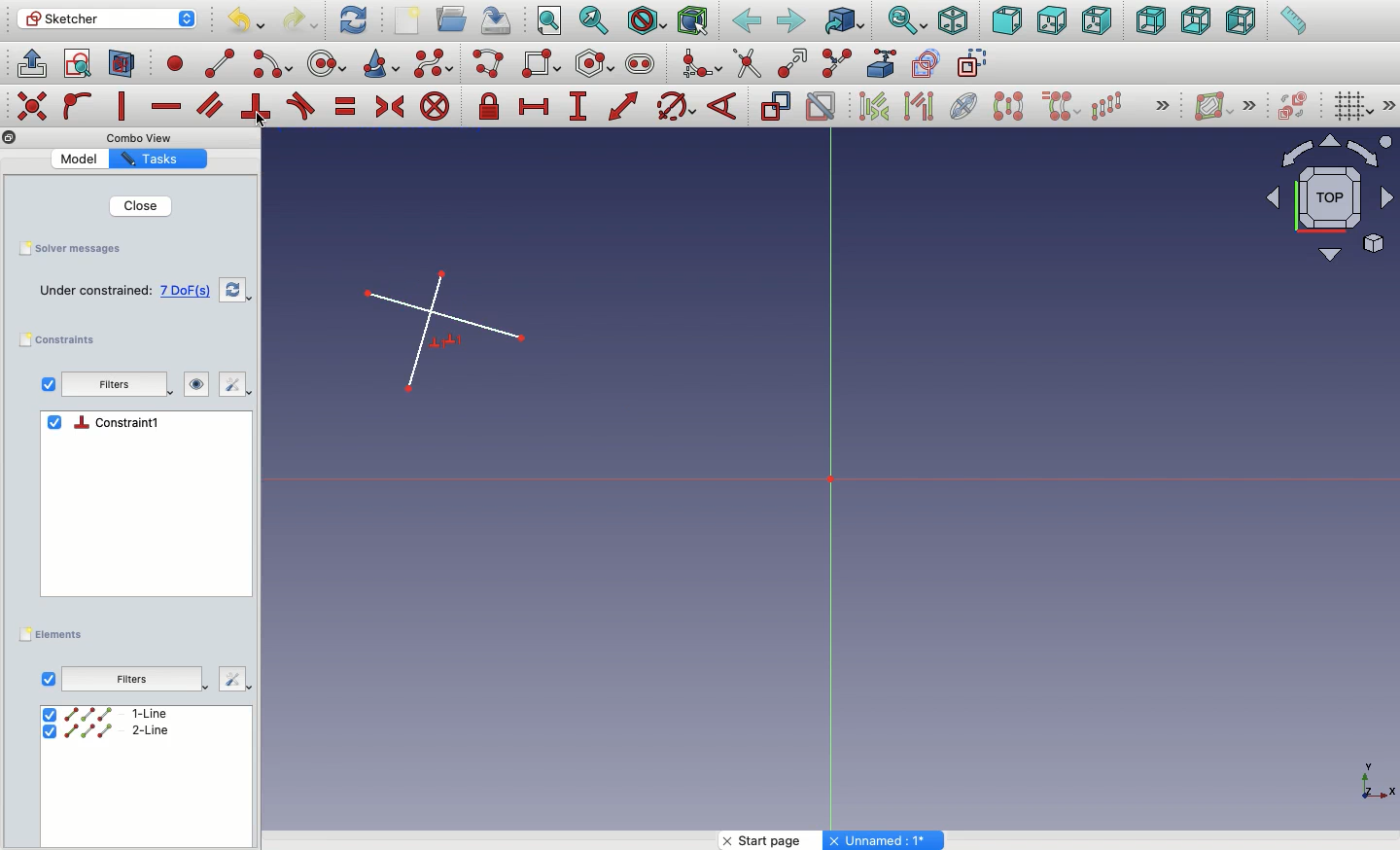 This screenshot has height=850, width=1400. Describe the element at coordinates (108, 19) in the screenshot. I see `Sketcher` at that location.